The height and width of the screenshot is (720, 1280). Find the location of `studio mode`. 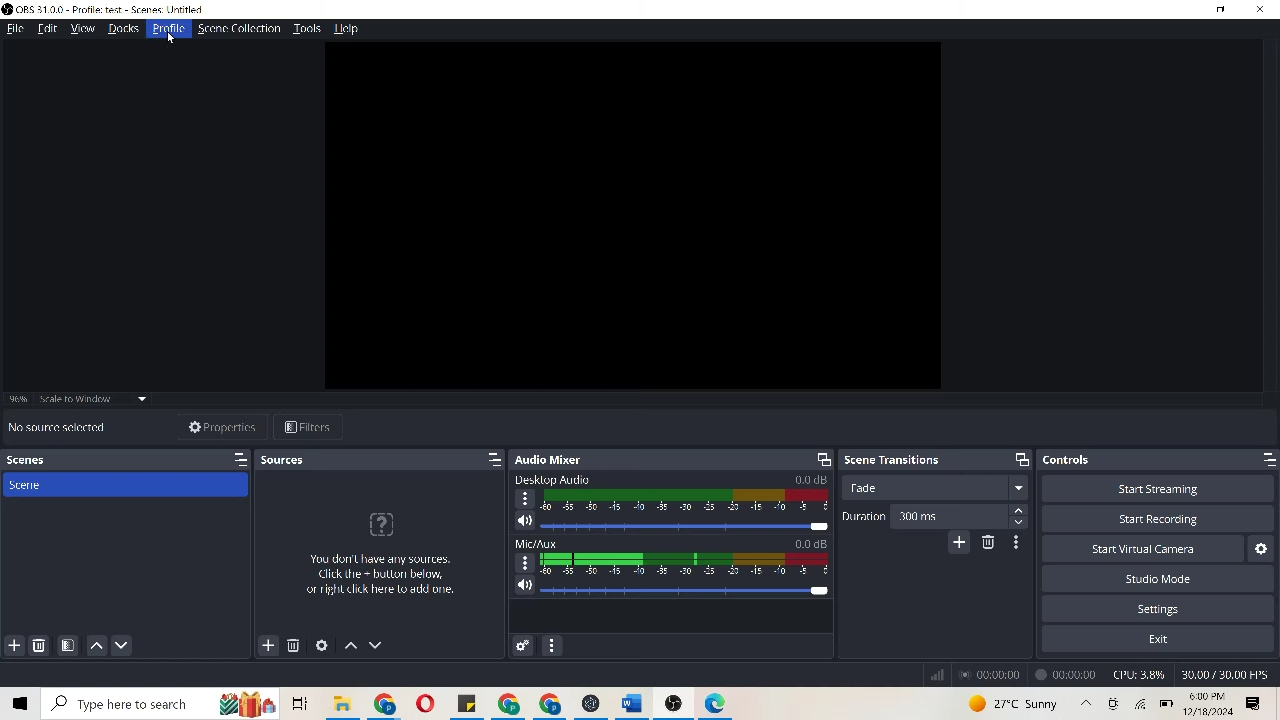

studio mode is located at coordinates (1160, 581).